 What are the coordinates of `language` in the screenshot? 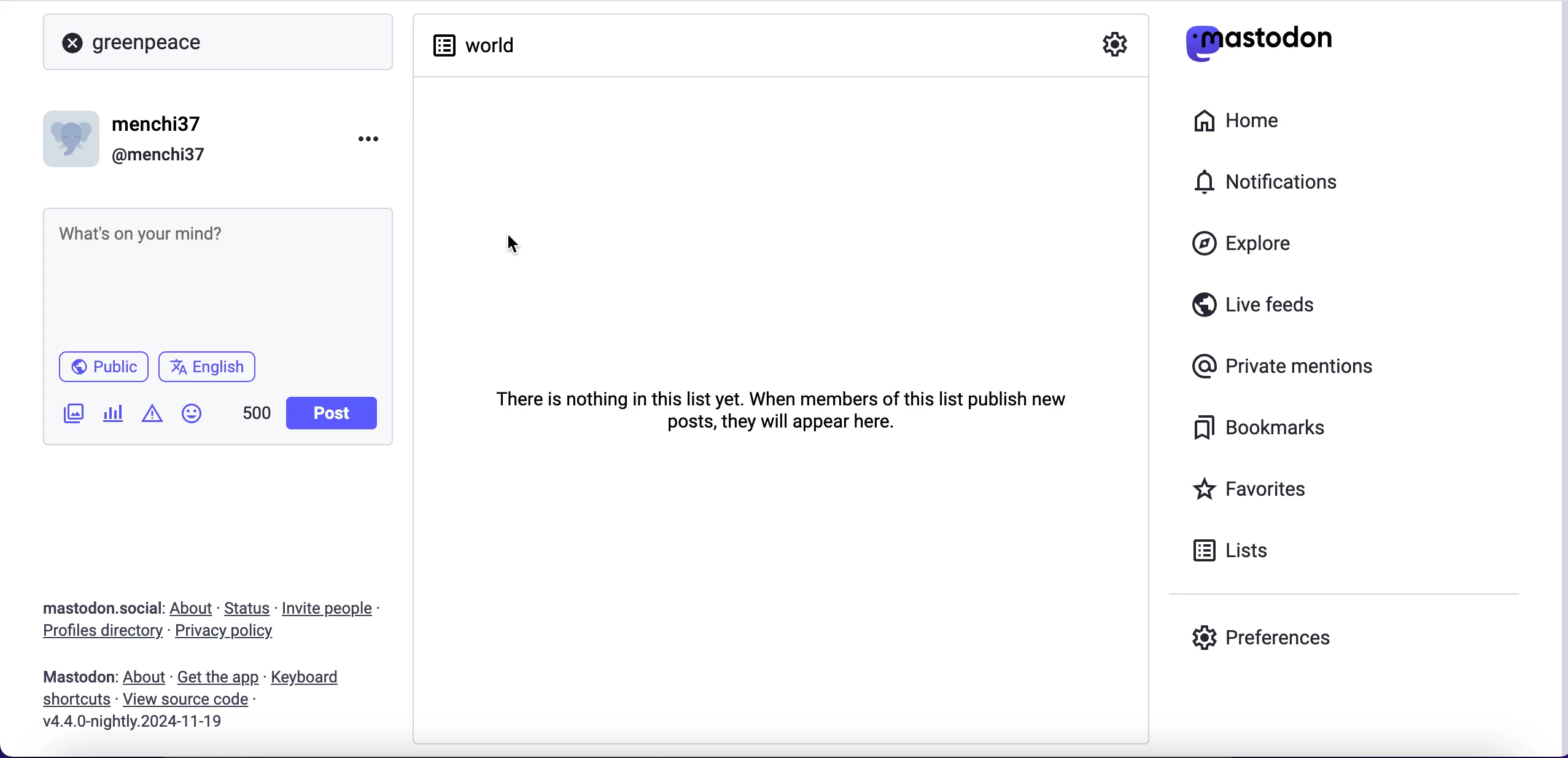 It's located at (212, 372).